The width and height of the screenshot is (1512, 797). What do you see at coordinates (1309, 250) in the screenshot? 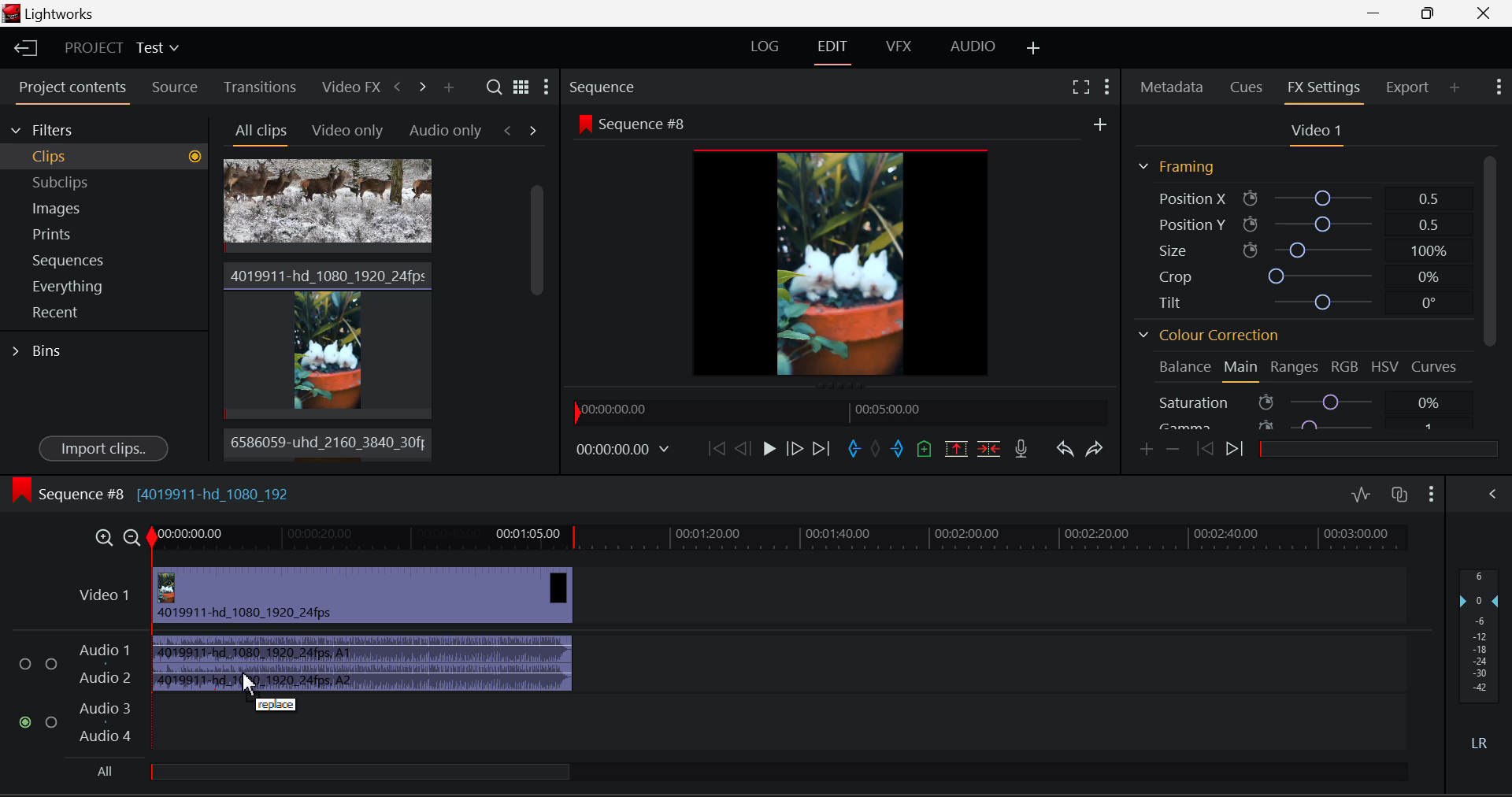
I see `Size` at bounding box center [1309, 250].